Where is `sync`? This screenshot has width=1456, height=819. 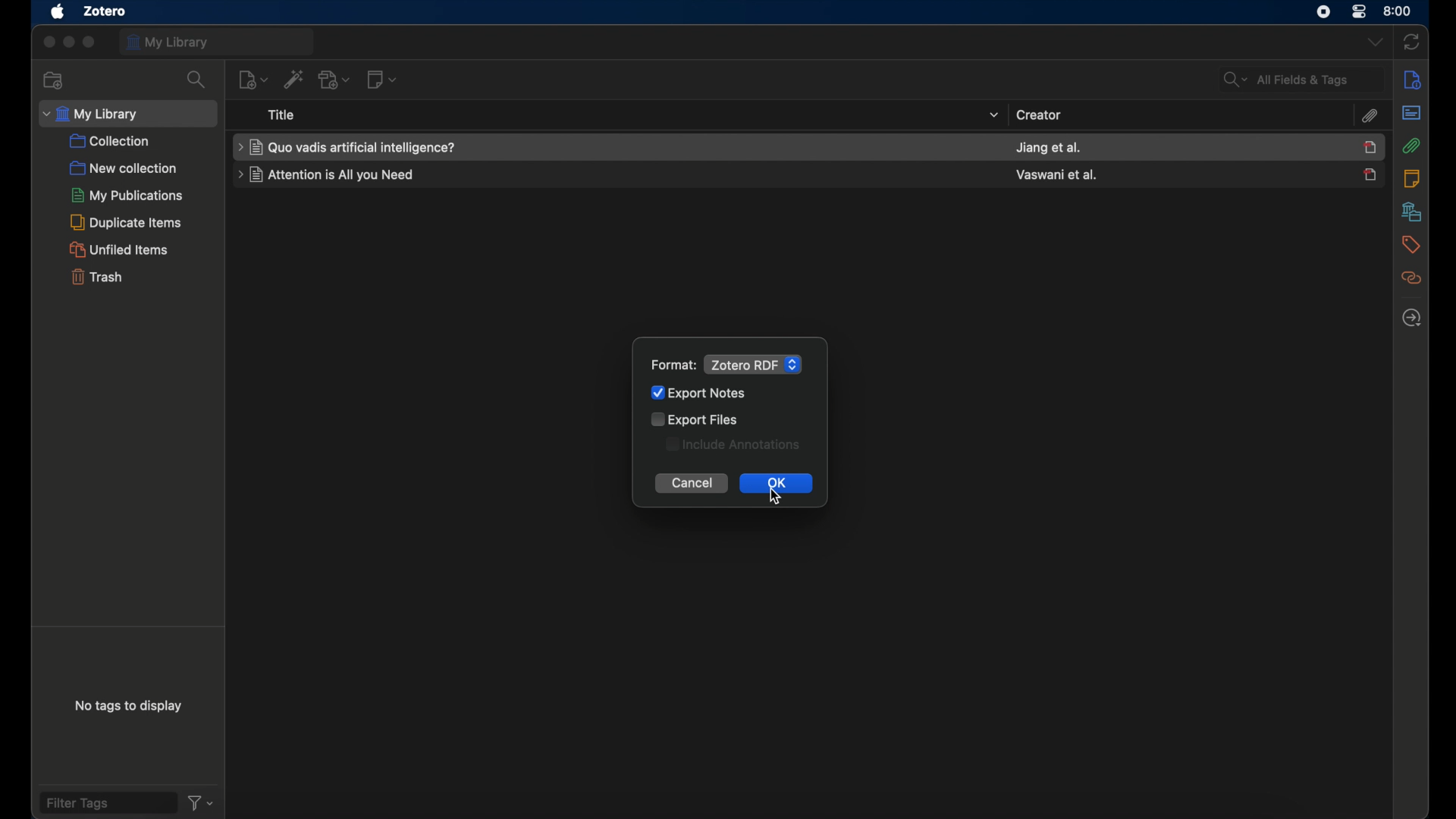
sync is located at coordinates (1412, 40).